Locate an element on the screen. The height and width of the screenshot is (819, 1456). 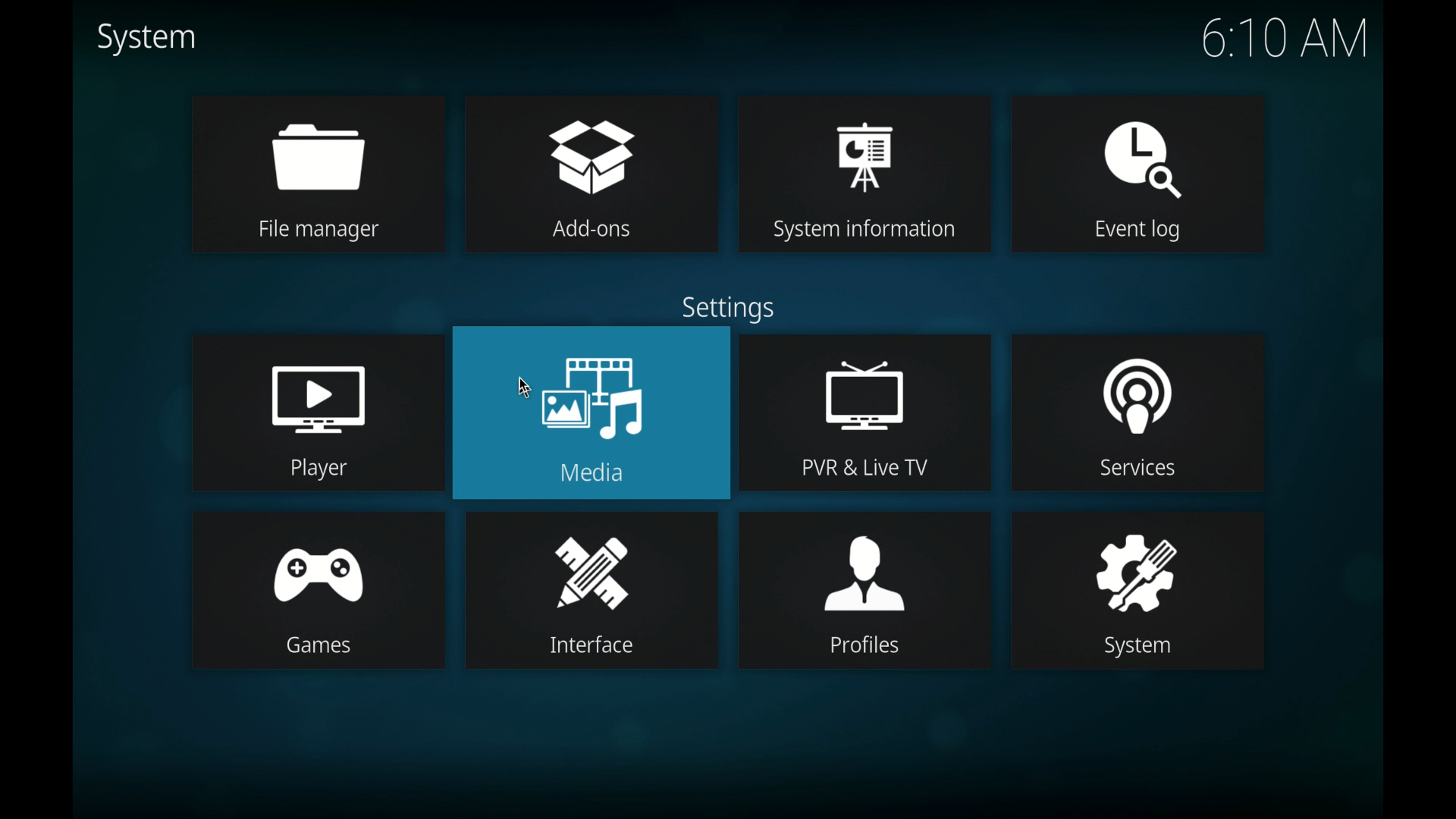
system is located at coordinates (146, 38).